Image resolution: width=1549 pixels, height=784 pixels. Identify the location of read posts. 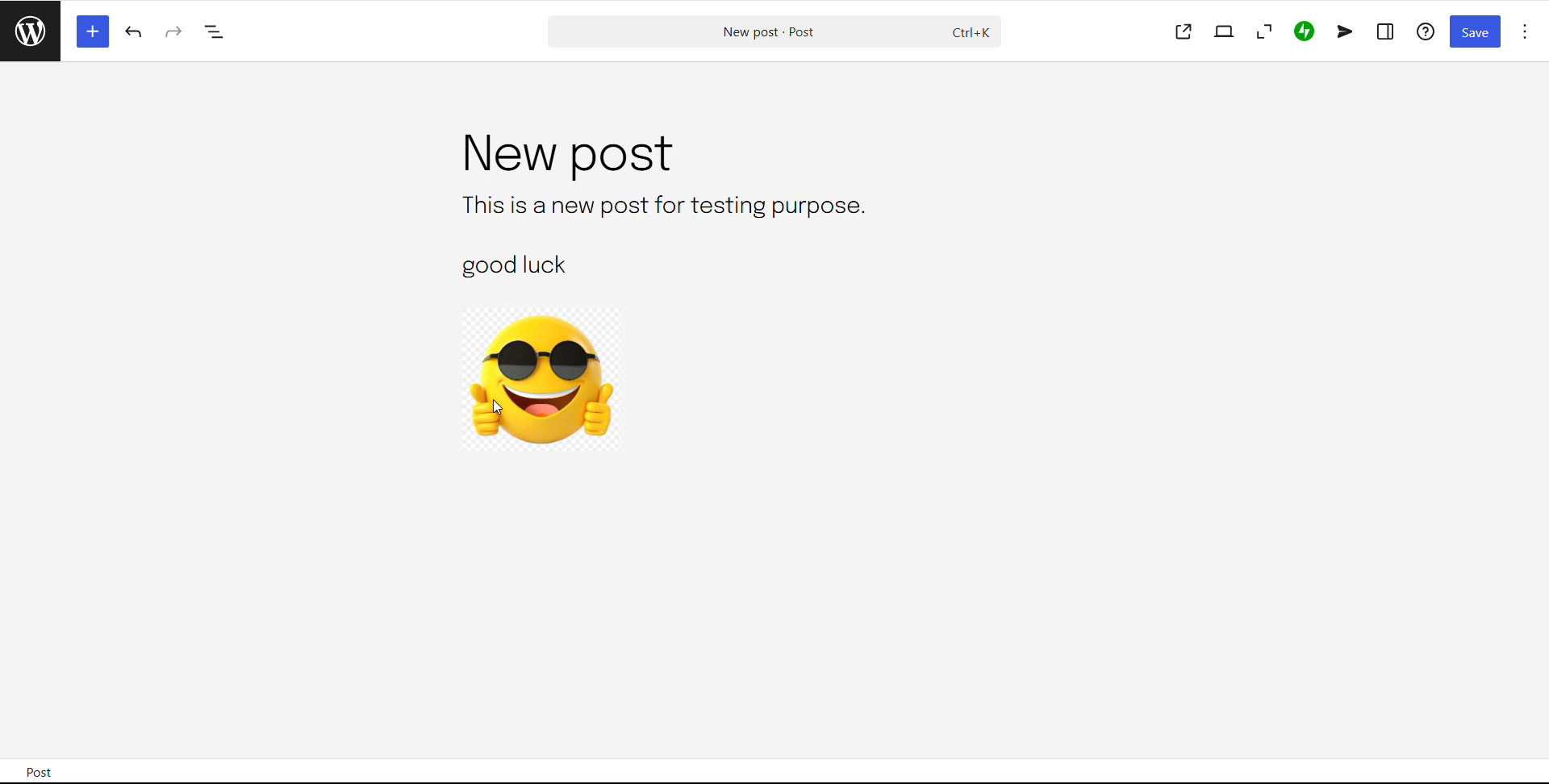
(30, 31).